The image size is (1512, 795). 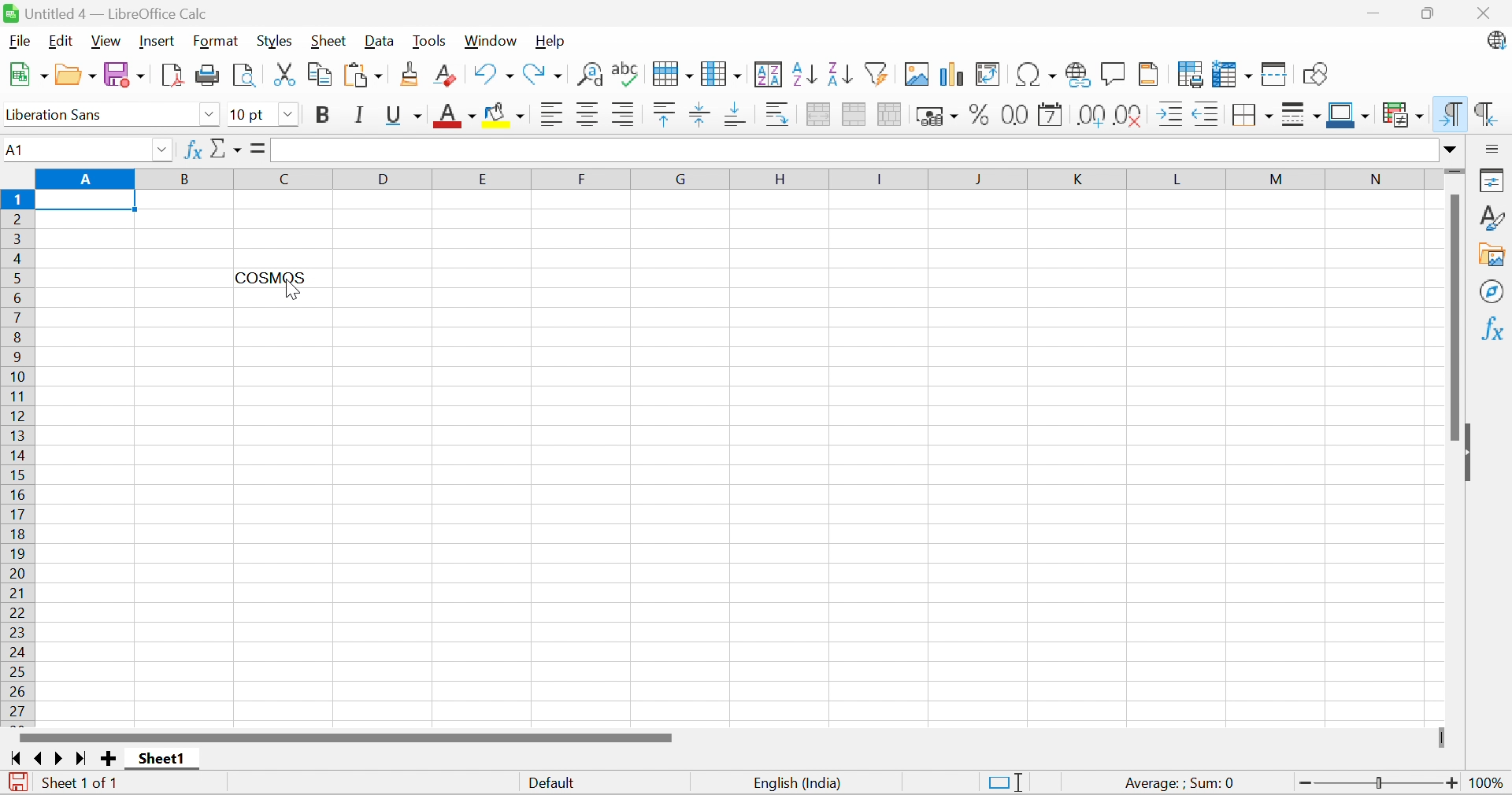 What do you see at coordinates (589, 116) in the screenshot?
I see `Align Center` at bounding box center [589, 116].